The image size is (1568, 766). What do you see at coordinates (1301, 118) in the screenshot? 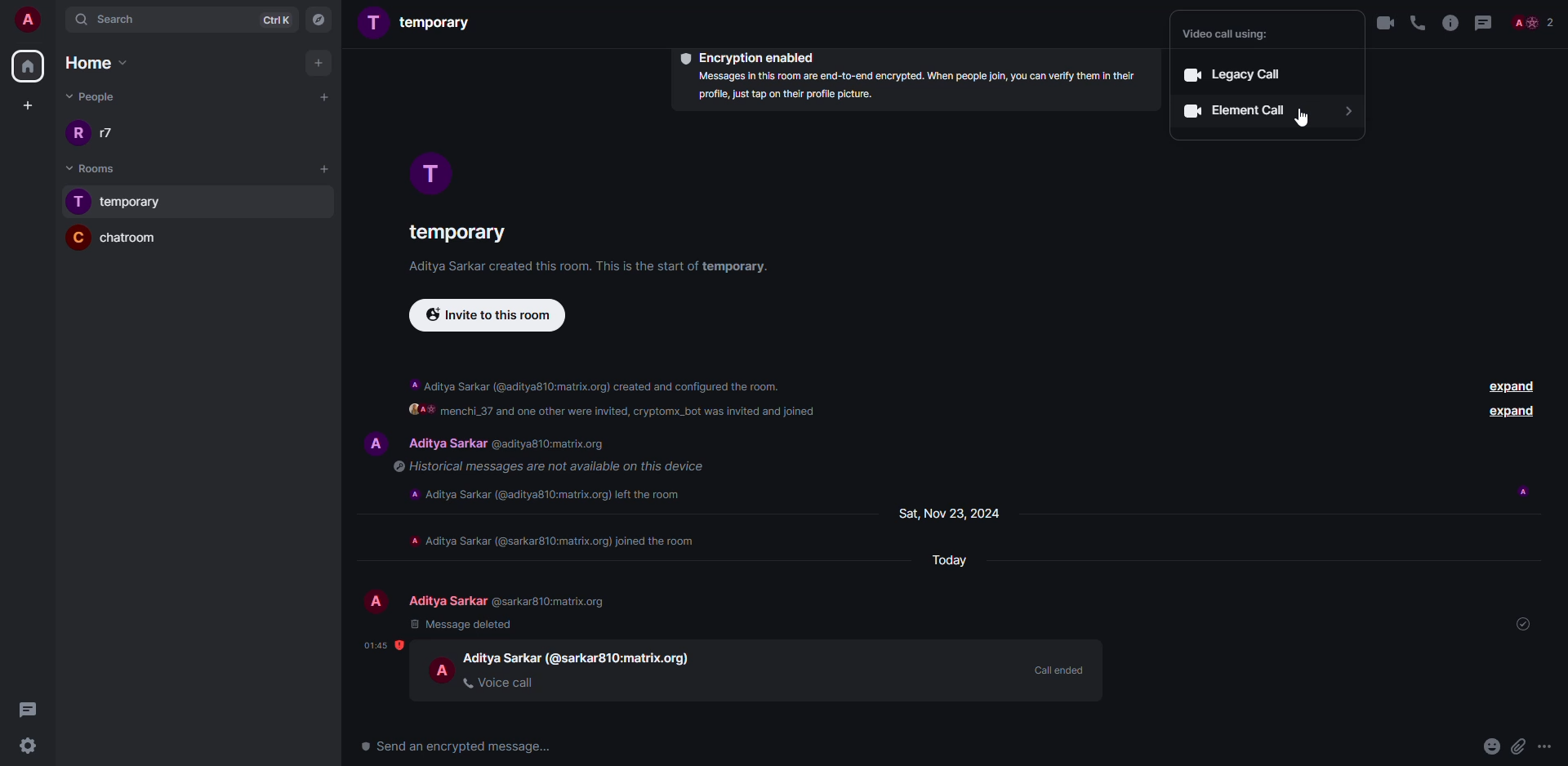
I see `cursor` at bounding box center [1301, 118].